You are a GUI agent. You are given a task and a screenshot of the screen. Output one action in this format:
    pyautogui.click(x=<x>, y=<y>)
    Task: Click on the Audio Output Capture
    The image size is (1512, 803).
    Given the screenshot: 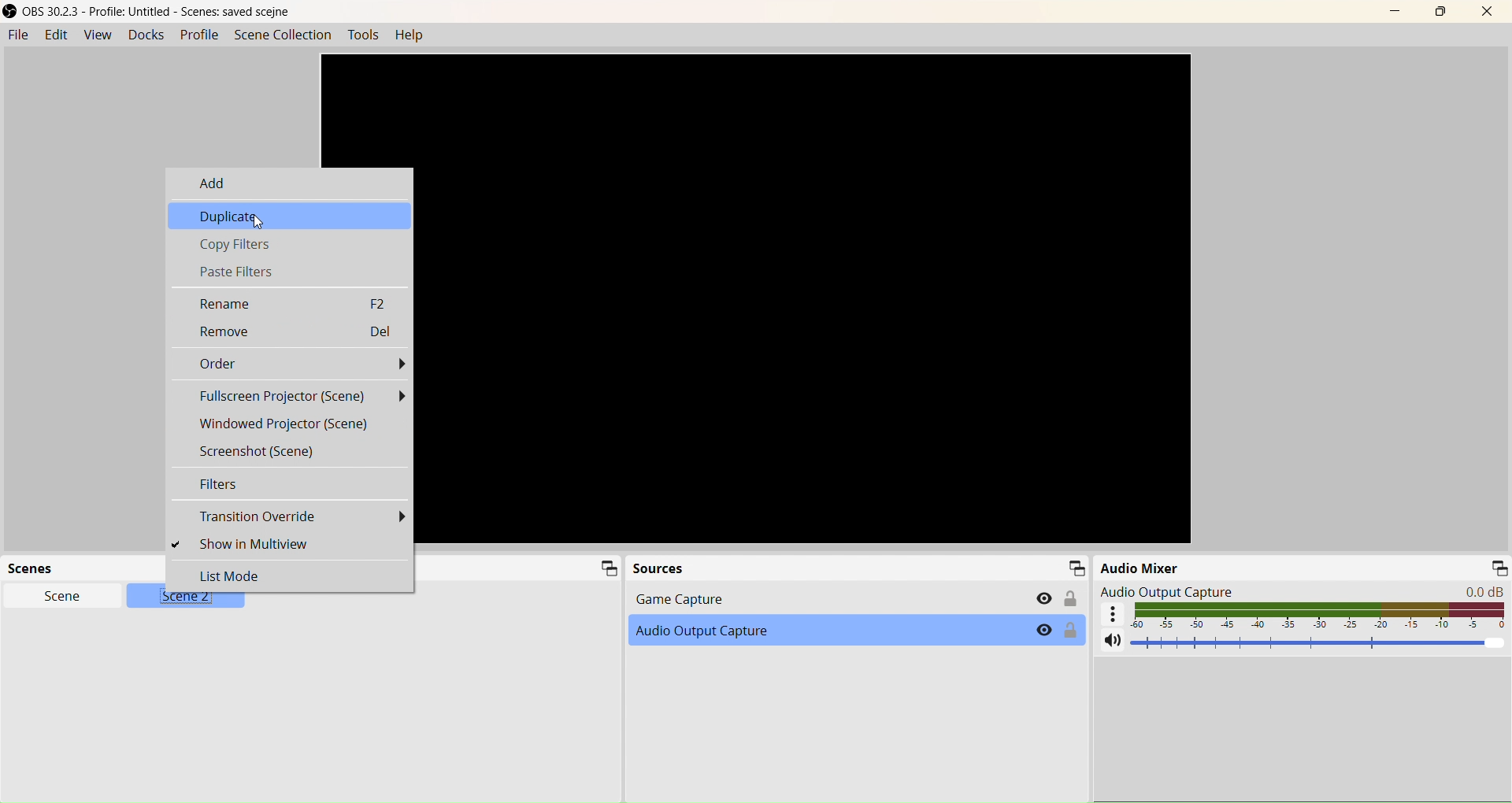 What is the action you would take?
    pyautogui.click(x=1303, y=591)
    